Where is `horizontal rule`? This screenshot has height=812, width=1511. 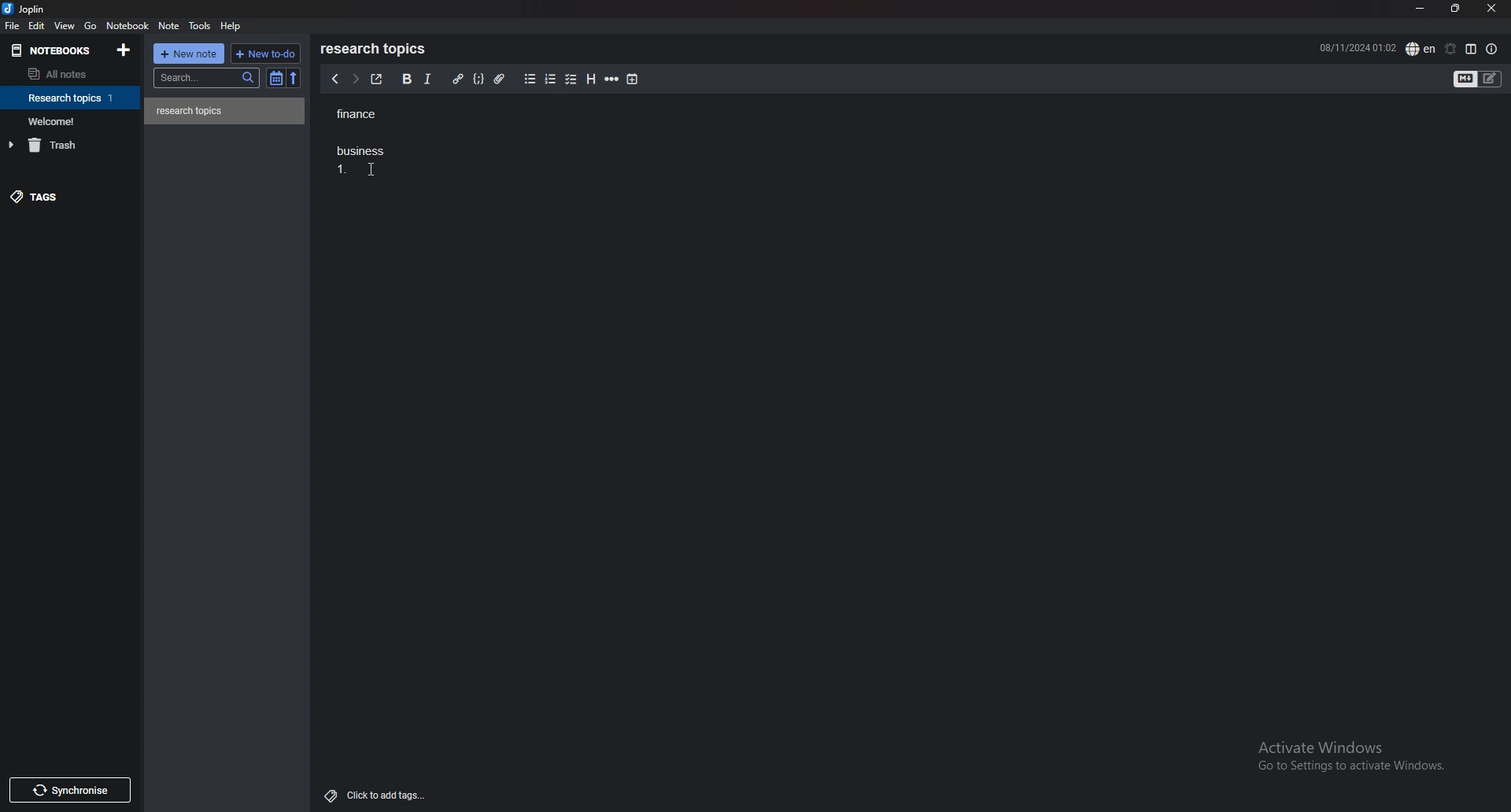 horizontal rule is located at coordinates (613, 79).